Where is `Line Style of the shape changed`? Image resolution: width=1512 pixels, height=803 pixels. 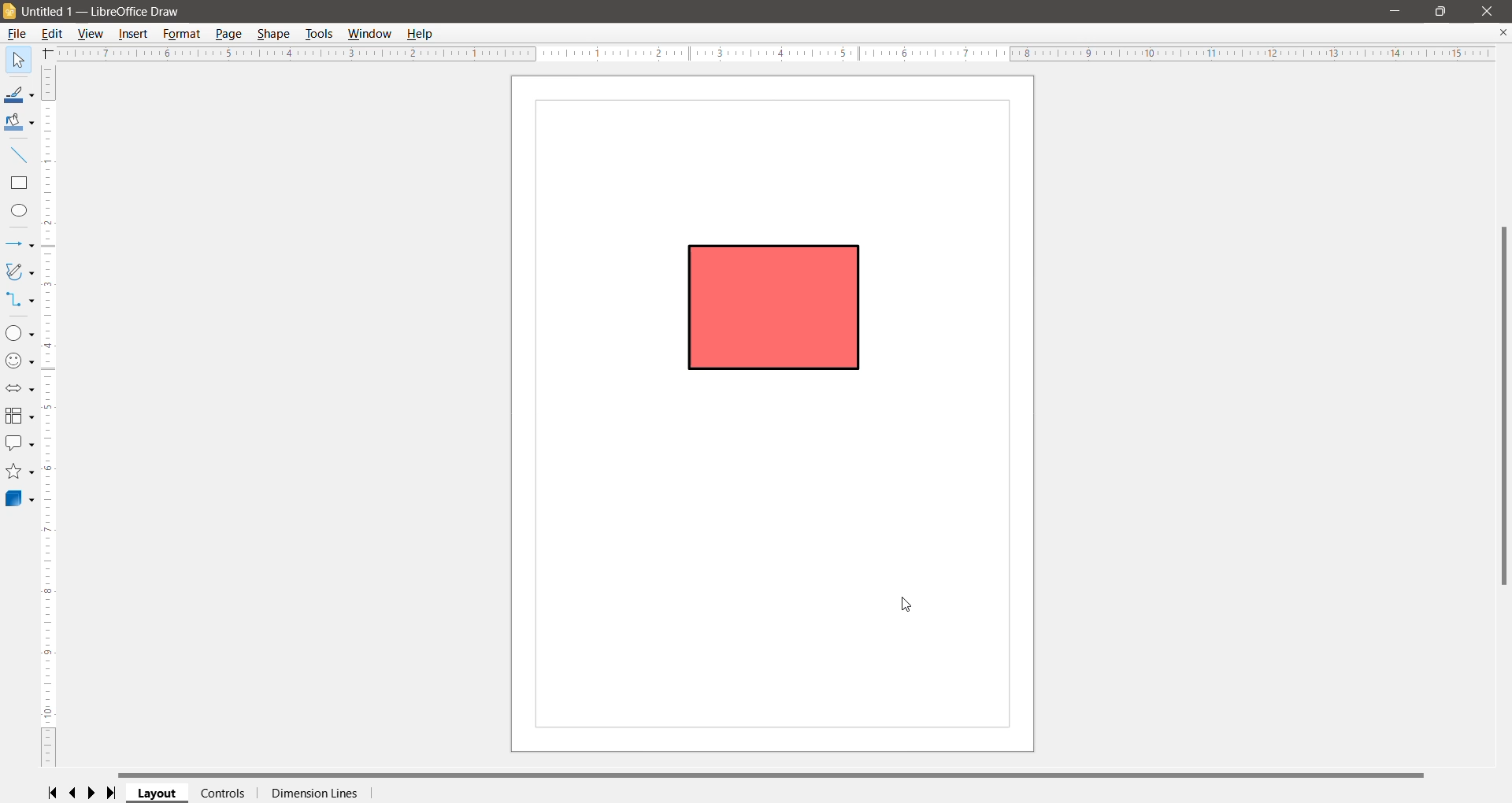 Line Style of the shape changed is located at coordinates (776, 305).